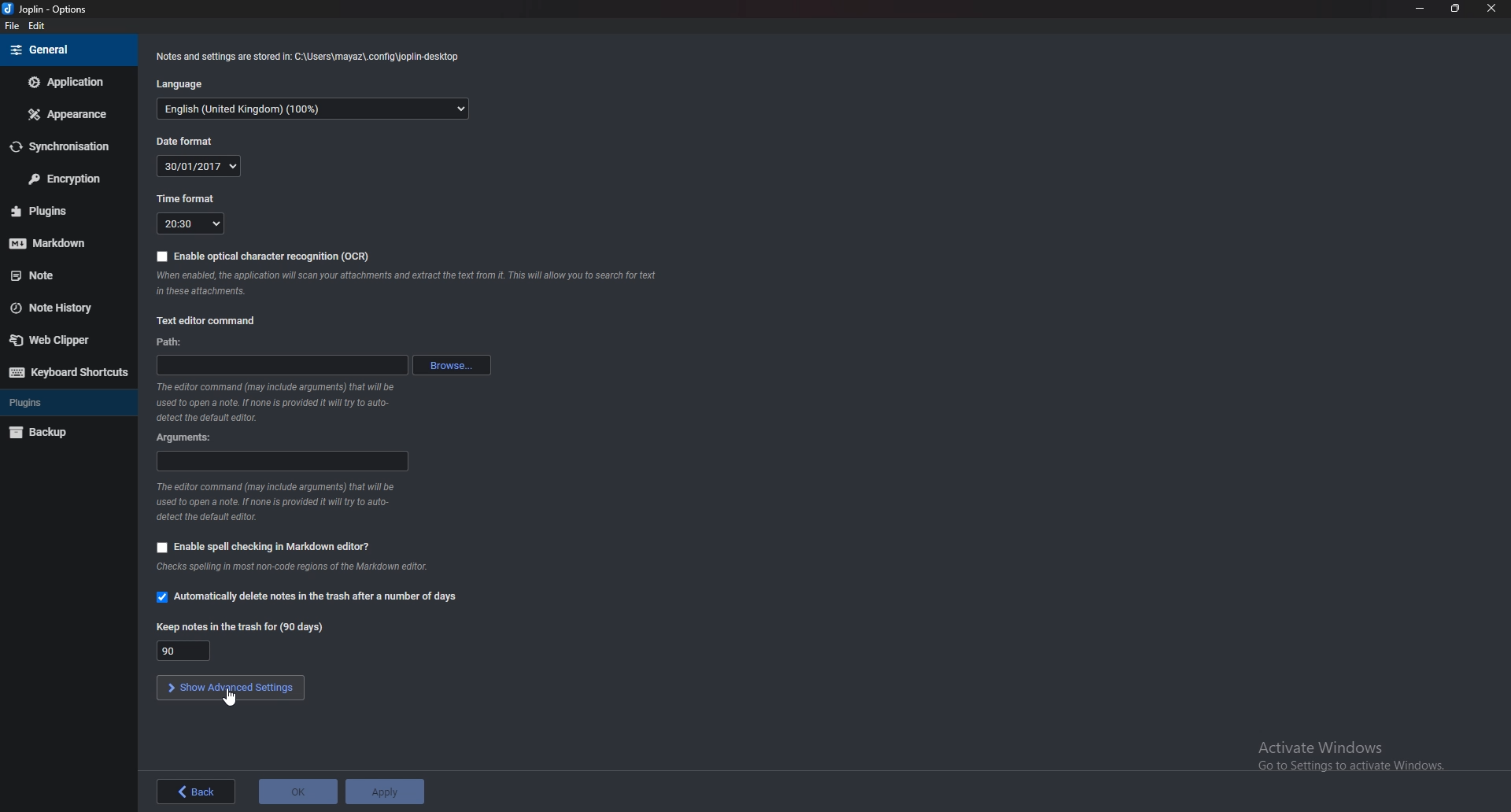 The width and height of the screenshot is (1511, 812). I want to click on Time format, so click(188, 201).